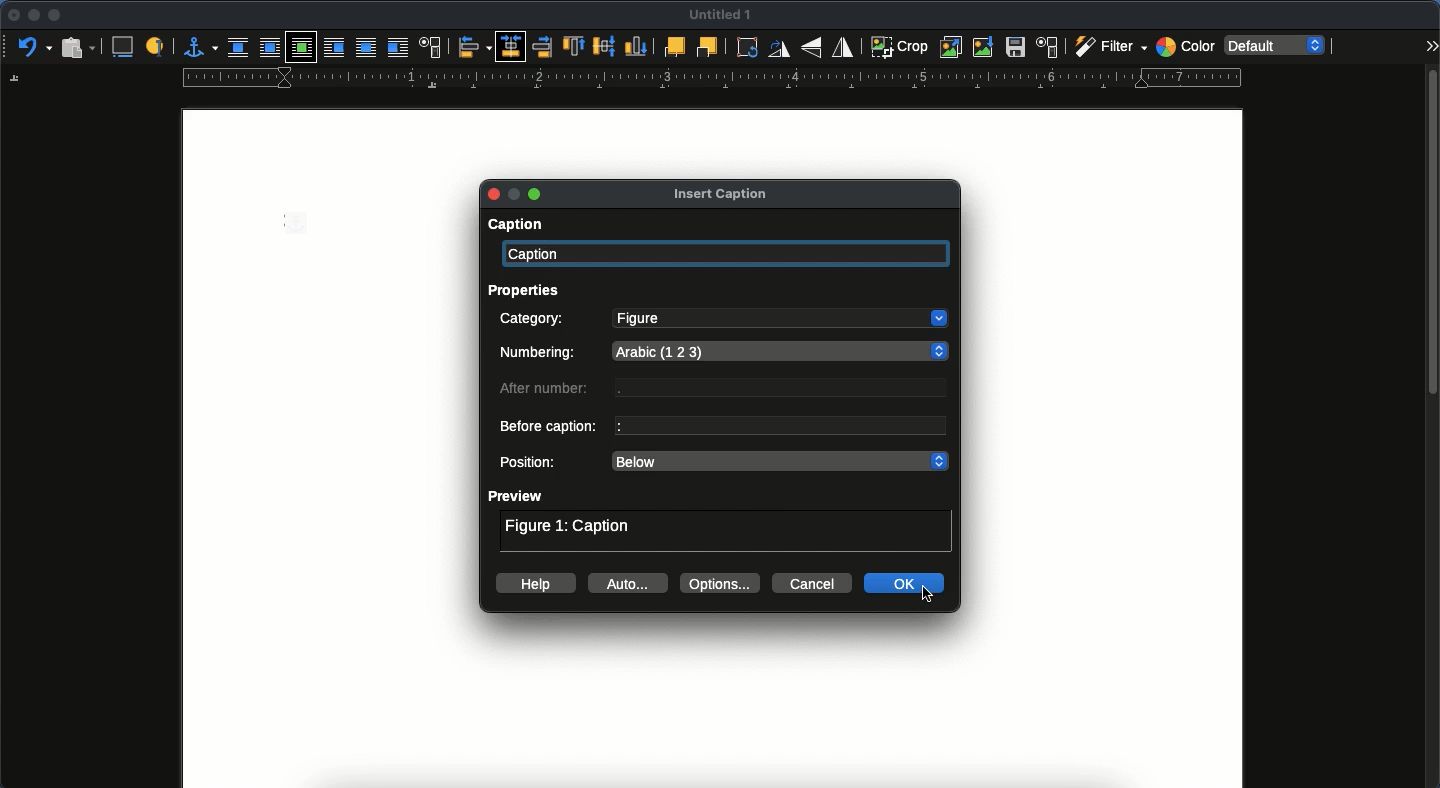 This screenshot has height=788, width=1440. I want to click on minimize, so click(518, 194).